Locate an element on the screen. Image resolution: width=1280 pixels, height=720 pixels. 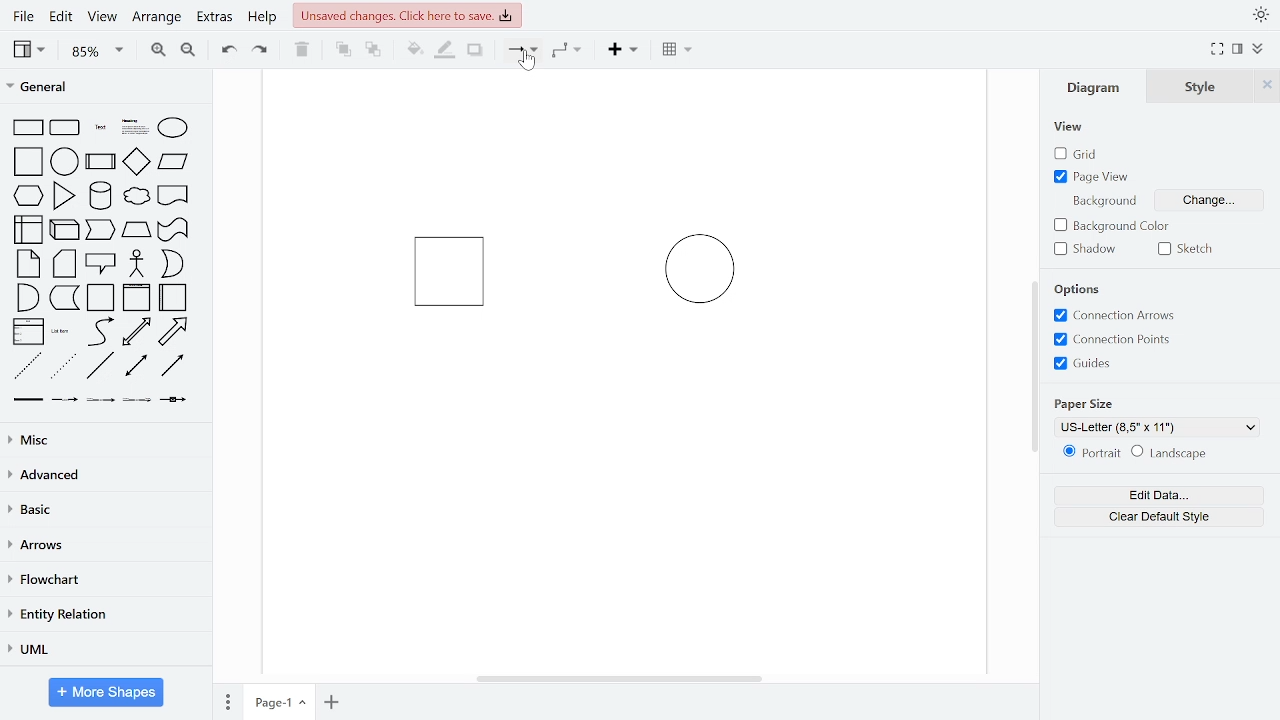
cloud is located at coordinates (135, 197).